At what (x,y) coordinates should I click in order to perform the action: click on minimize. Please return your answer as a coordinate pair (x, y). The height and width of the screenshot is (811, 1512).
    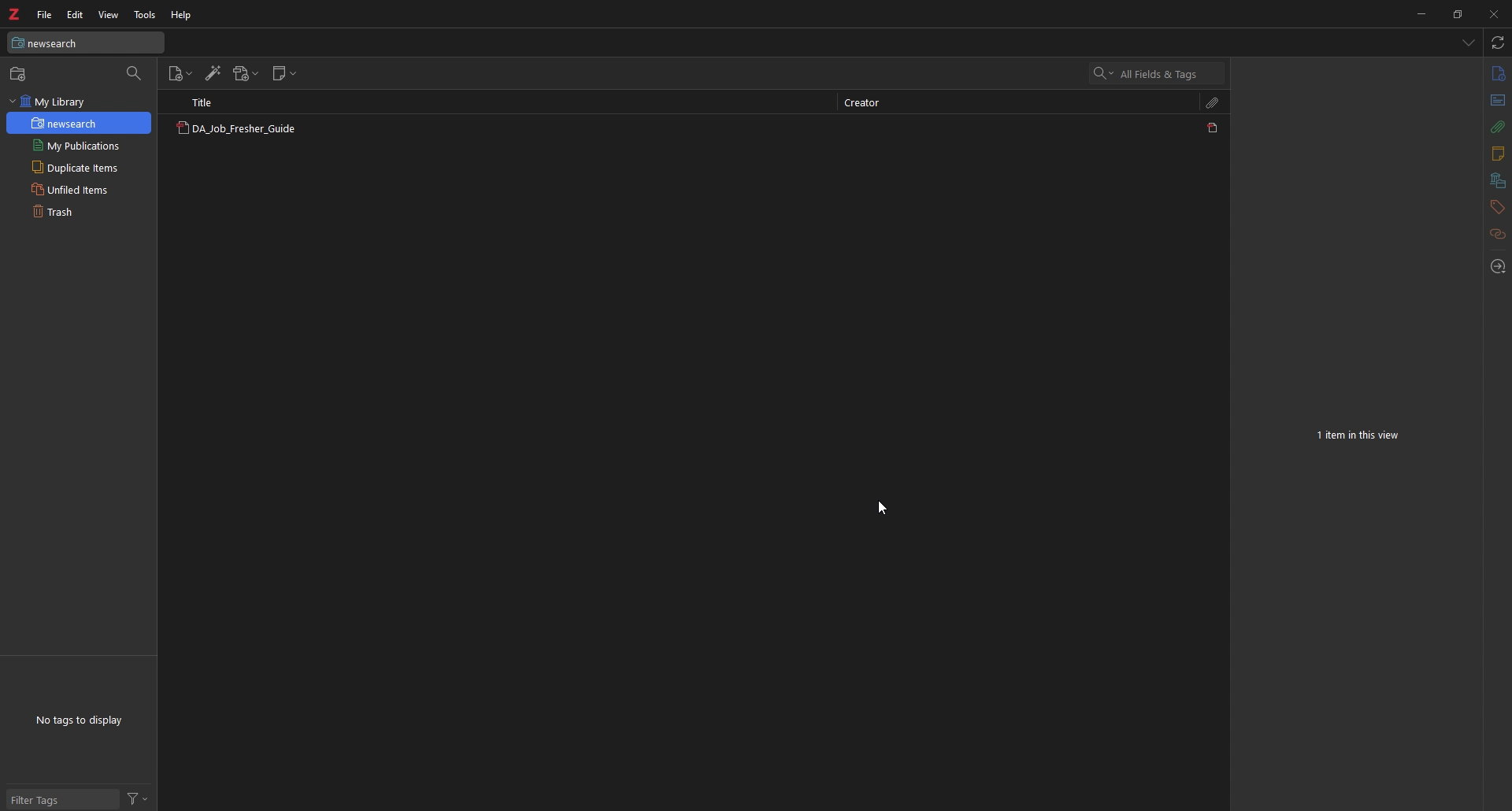
    Looking at the image, I should click on (1421, 13).